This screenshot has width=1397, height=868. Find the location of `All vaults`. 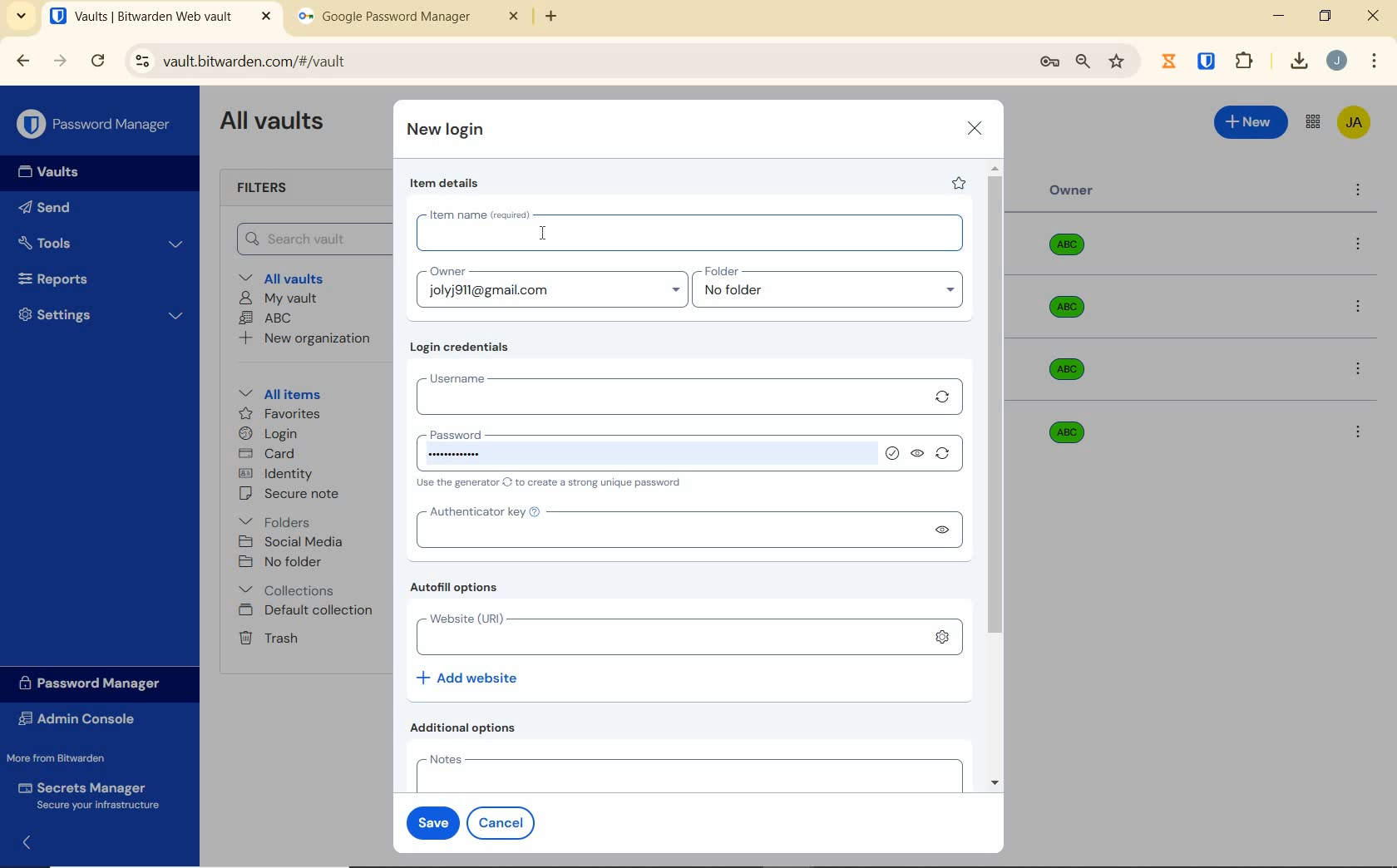

All vaults is located at coordinates (288, 277).